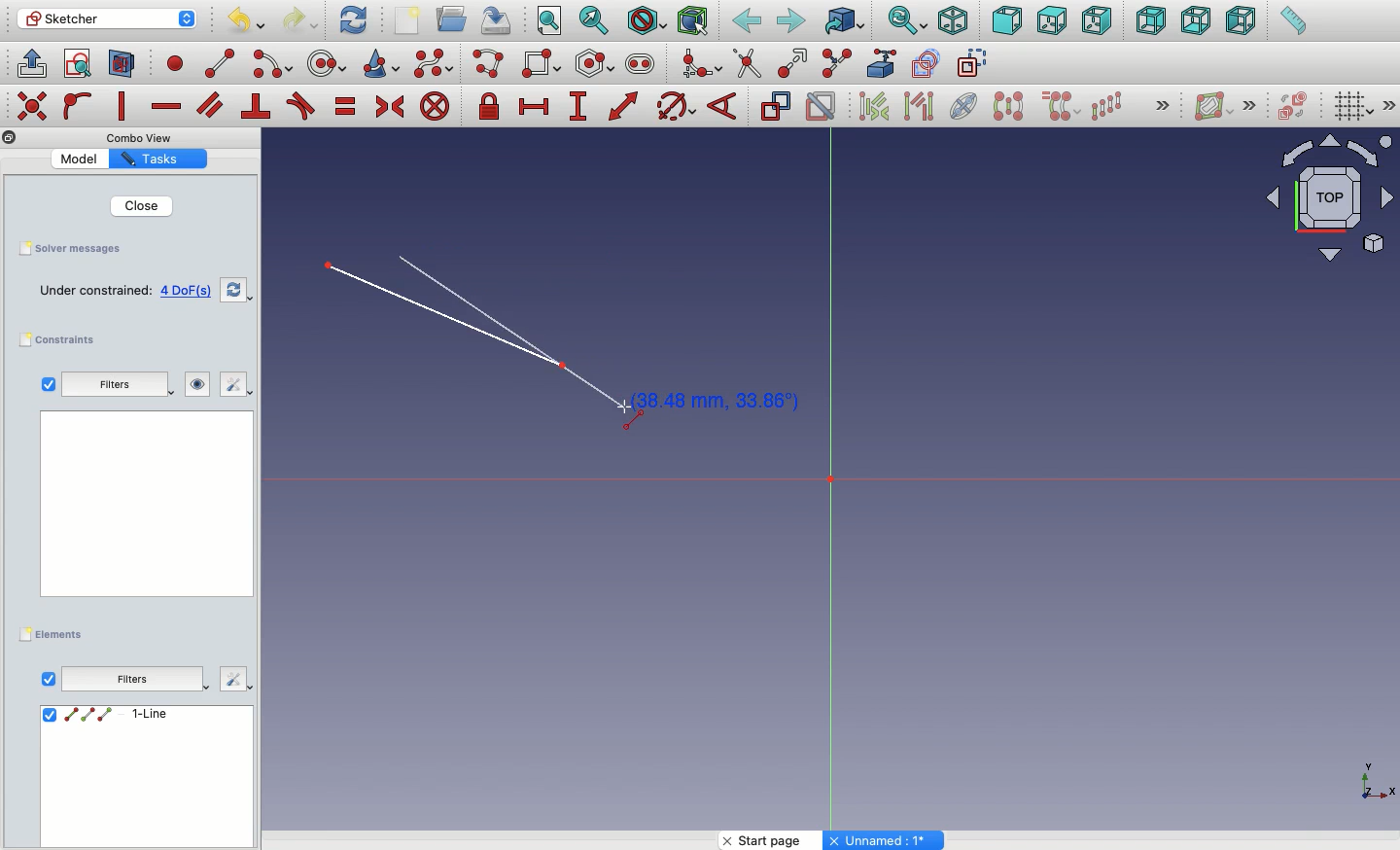 Image resolution: width=1400 pixels, height=850 pixels. Describe the element at coordinates (877, 106) in the screenshot. I see `Associated constraints` at that location.